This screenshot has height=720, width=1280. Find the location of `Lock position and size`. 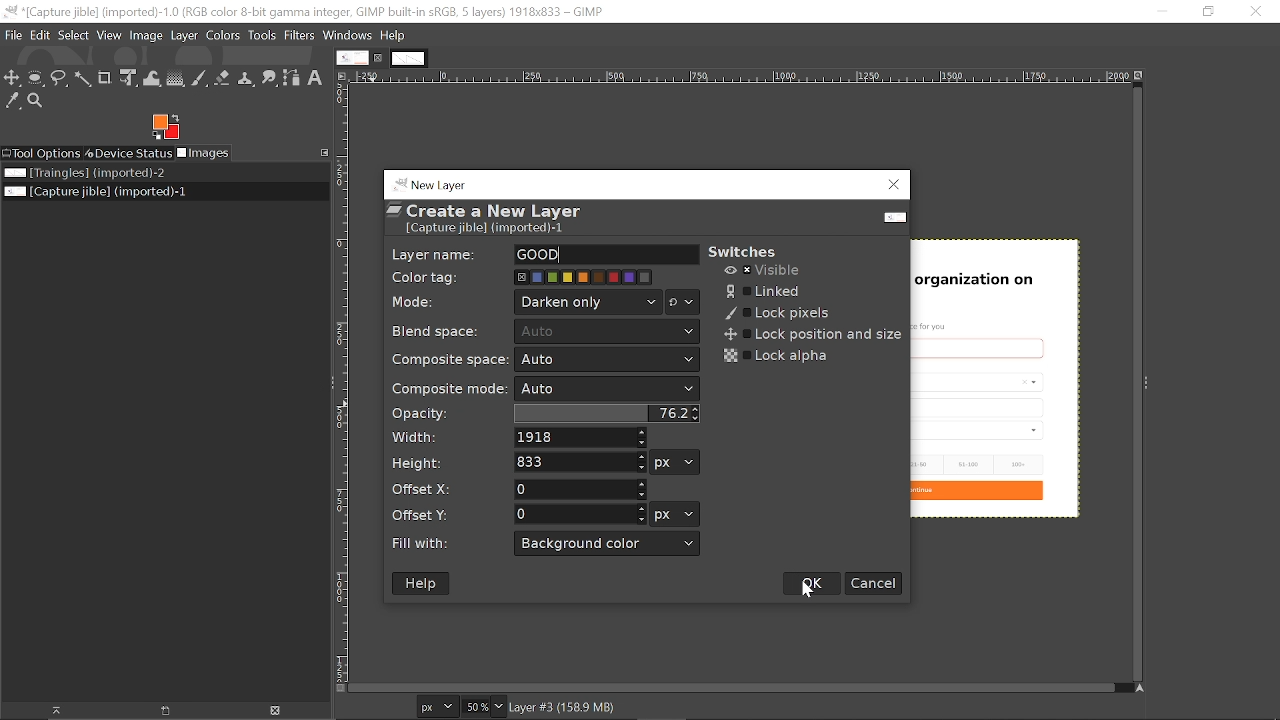

Lock position and size is located at coordinates (811, 336).